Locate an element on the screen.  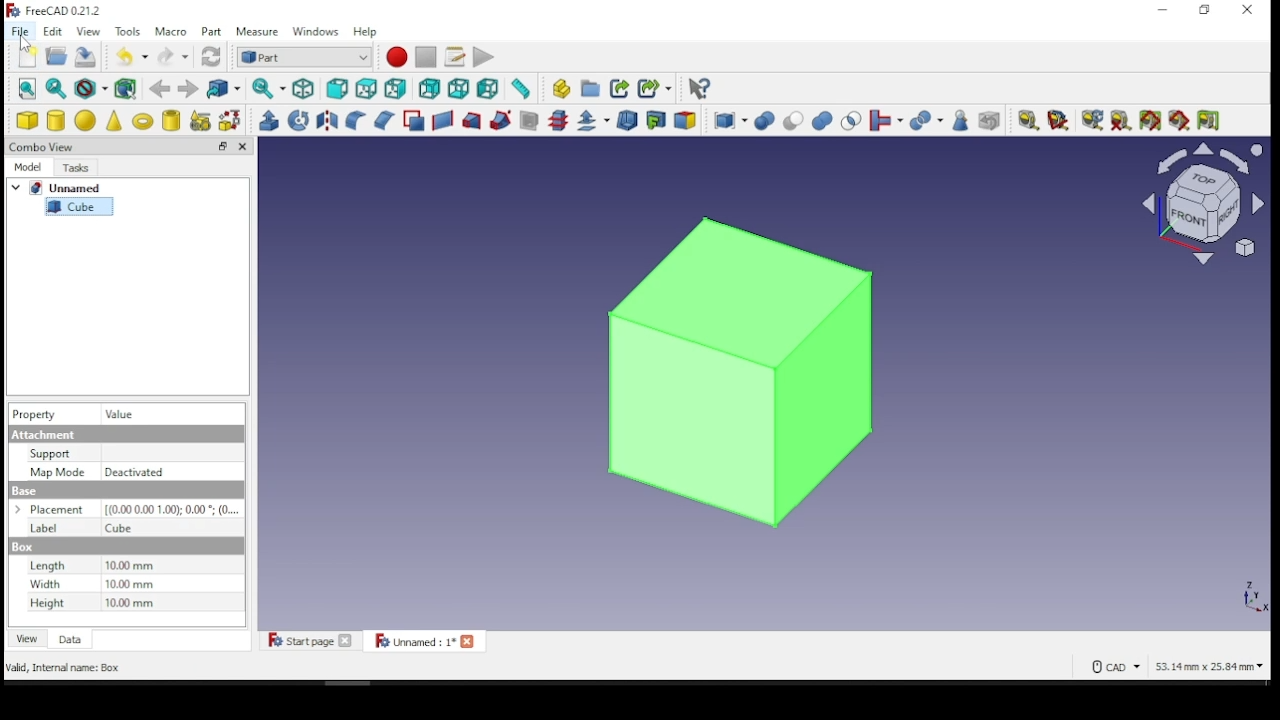
edit is located at coordinates (54, 32).